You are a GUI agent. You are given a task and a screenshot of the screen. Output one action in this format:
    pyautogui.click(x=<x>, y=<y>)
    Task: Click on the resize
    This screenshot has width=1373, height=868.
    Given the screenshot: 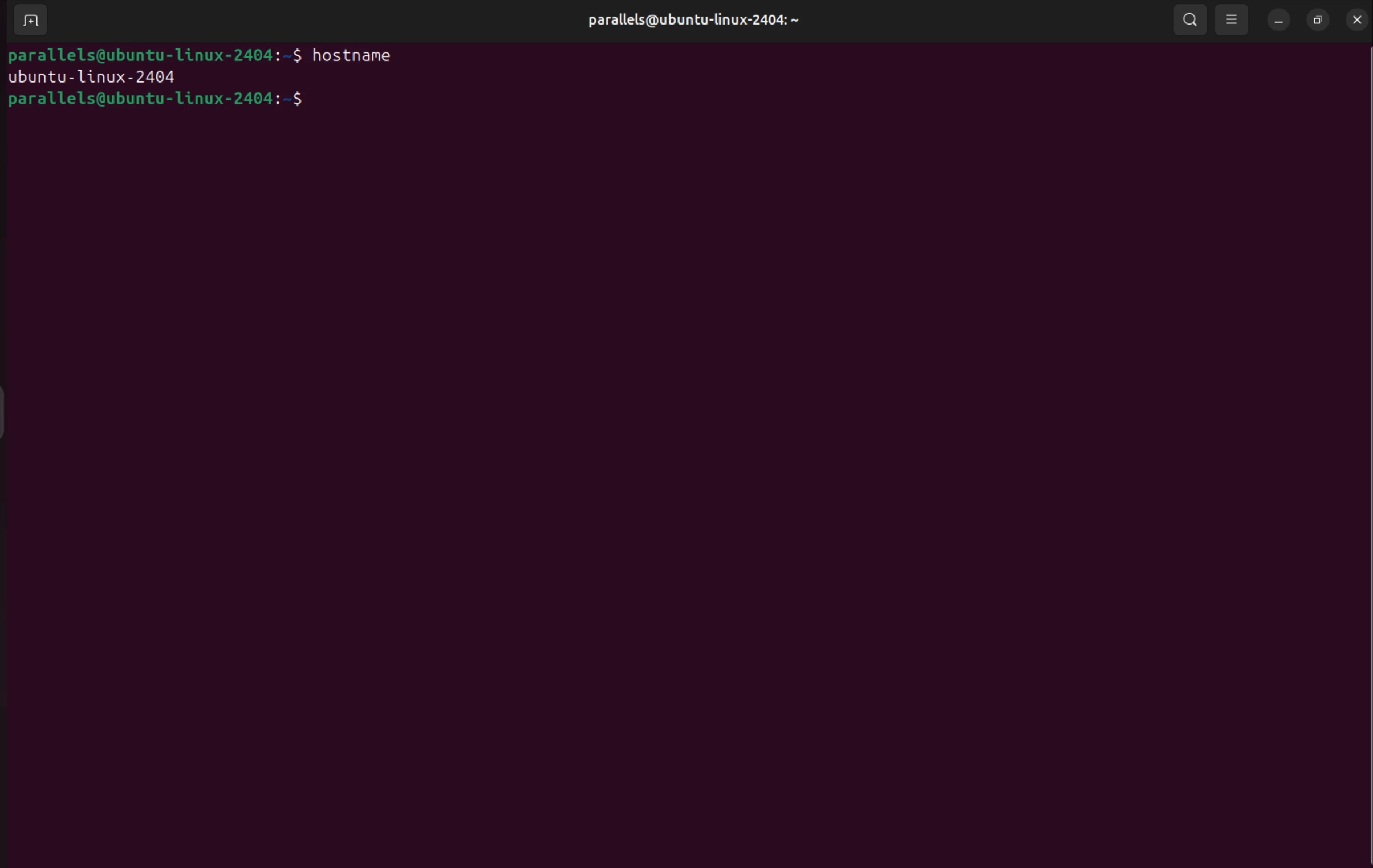 What is the action you would take?
    pyautogui.click(x=1317, y=19)
    